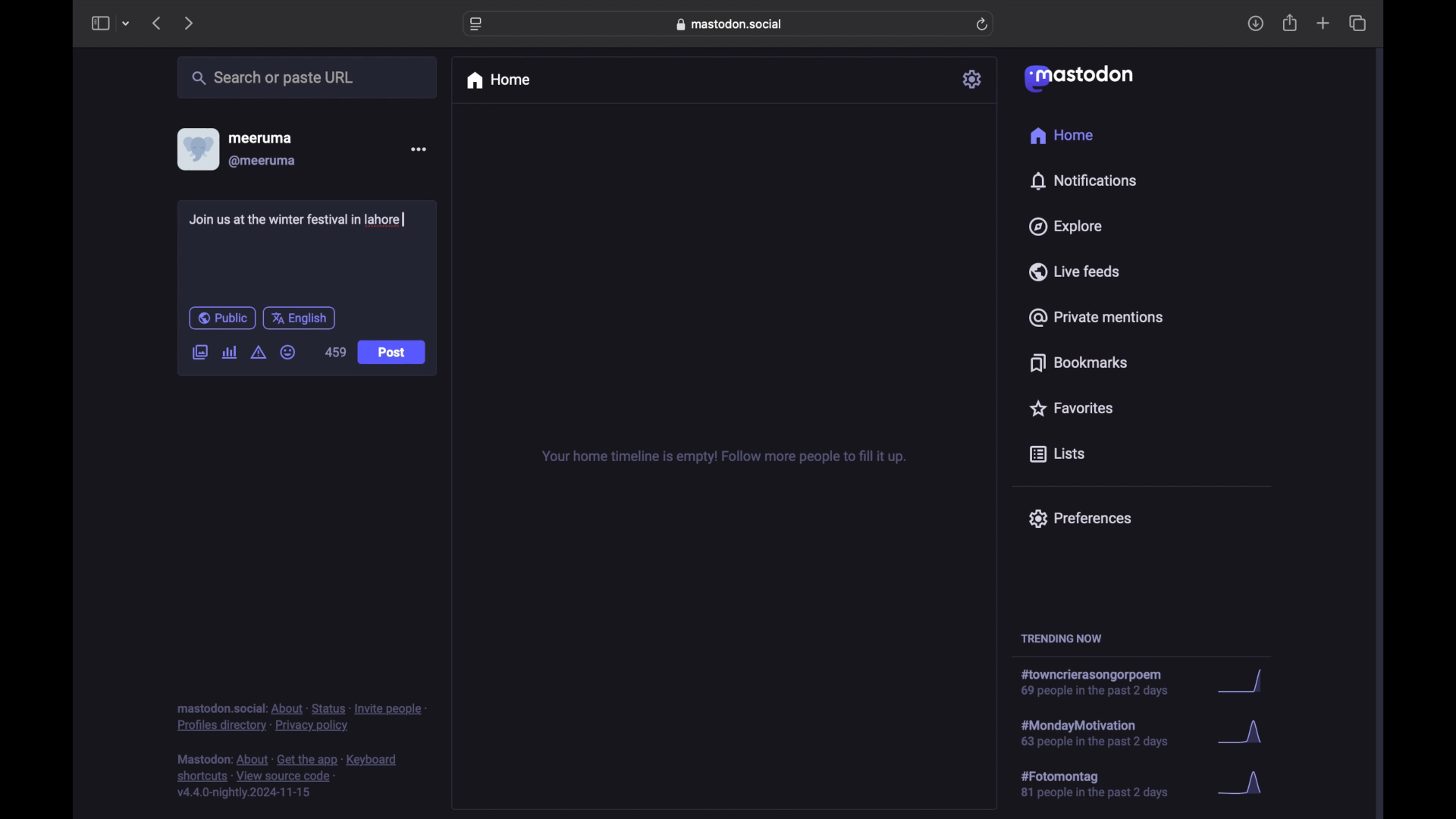 This screenshot has height=819, width=1456. Describe the element at coordinates (190, 23) in the screenshot. I see `next` at that location.